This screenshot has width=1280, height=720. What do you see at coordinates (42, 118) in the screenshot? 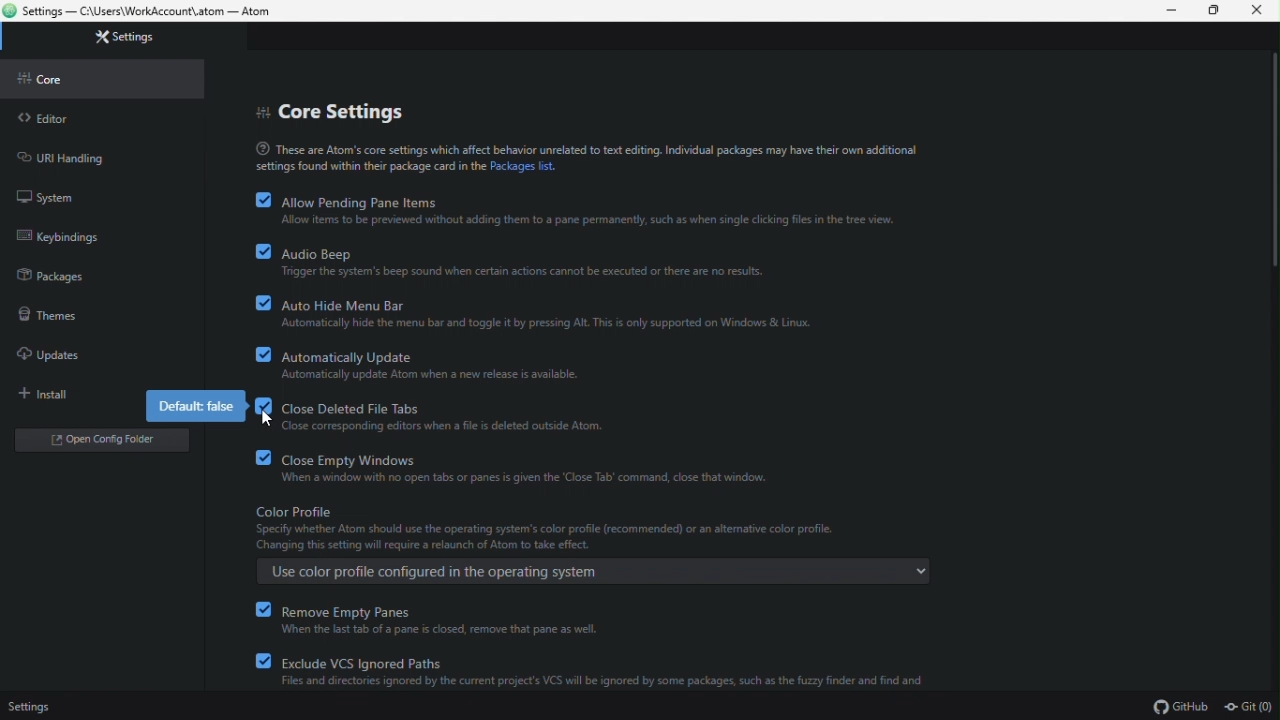
I see `editor` at bounding box center [42, 118].